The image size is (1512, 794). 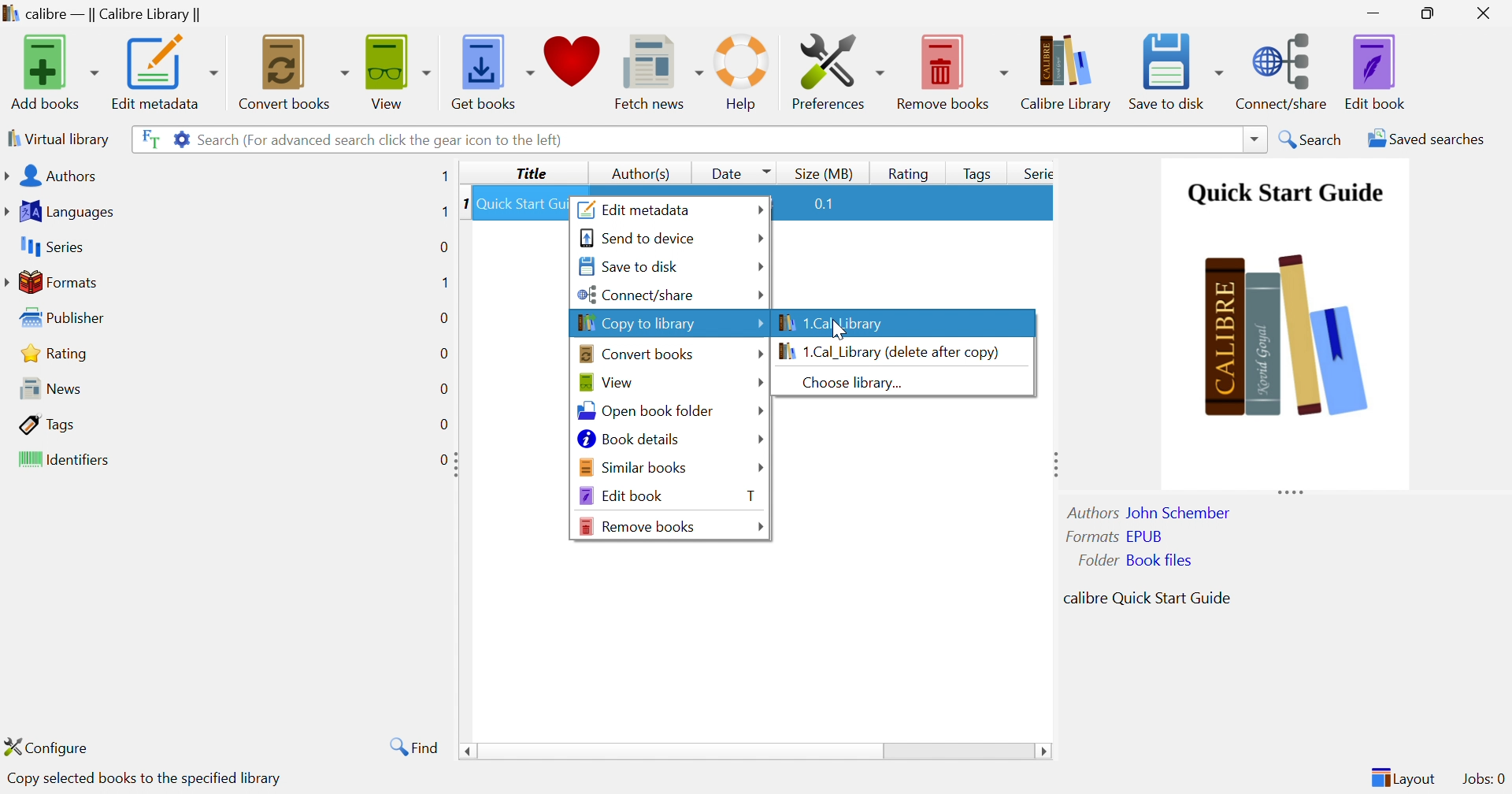 I want to click on Series, so click(x=50, y=246).